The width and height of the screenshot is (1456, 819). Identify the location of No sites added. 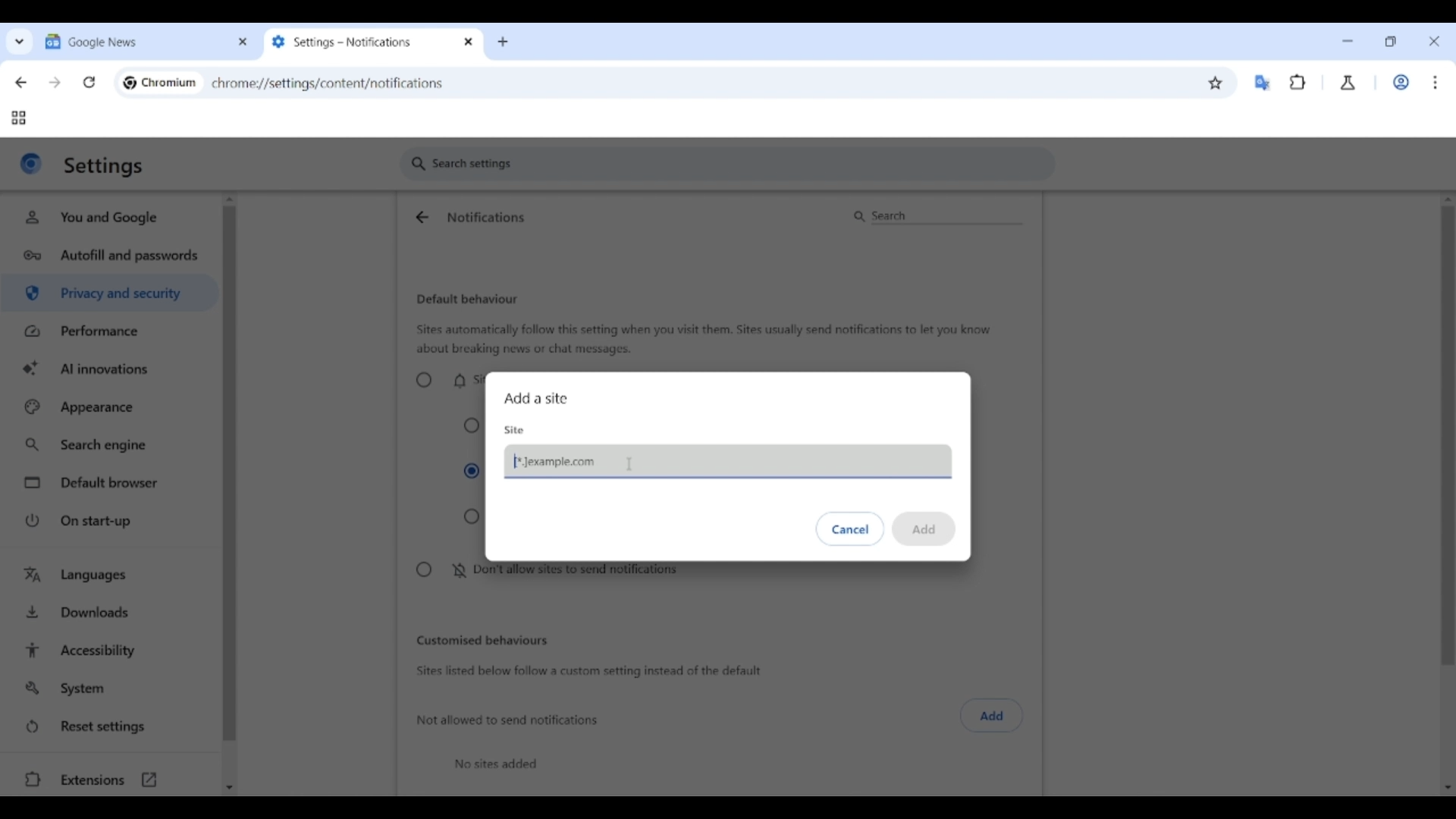
(496, 764).